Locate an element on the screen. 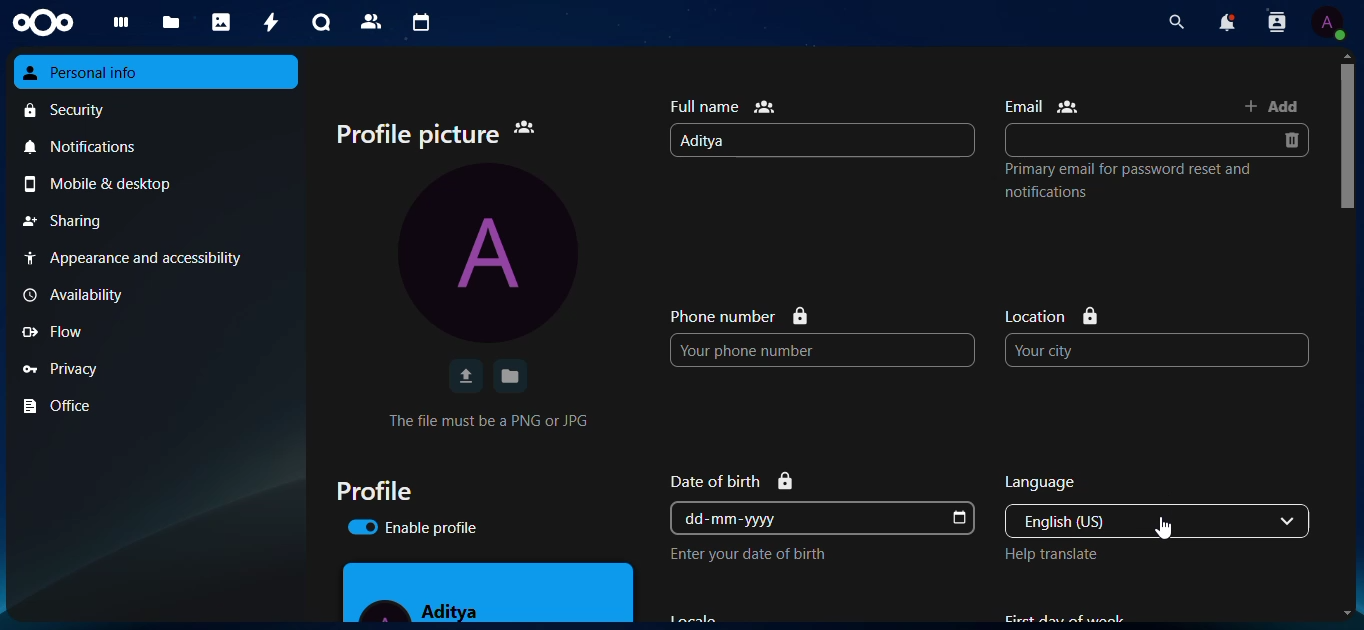 This screenshot has width=1364, height=630. dashboard is located at coordinates (123, 23).